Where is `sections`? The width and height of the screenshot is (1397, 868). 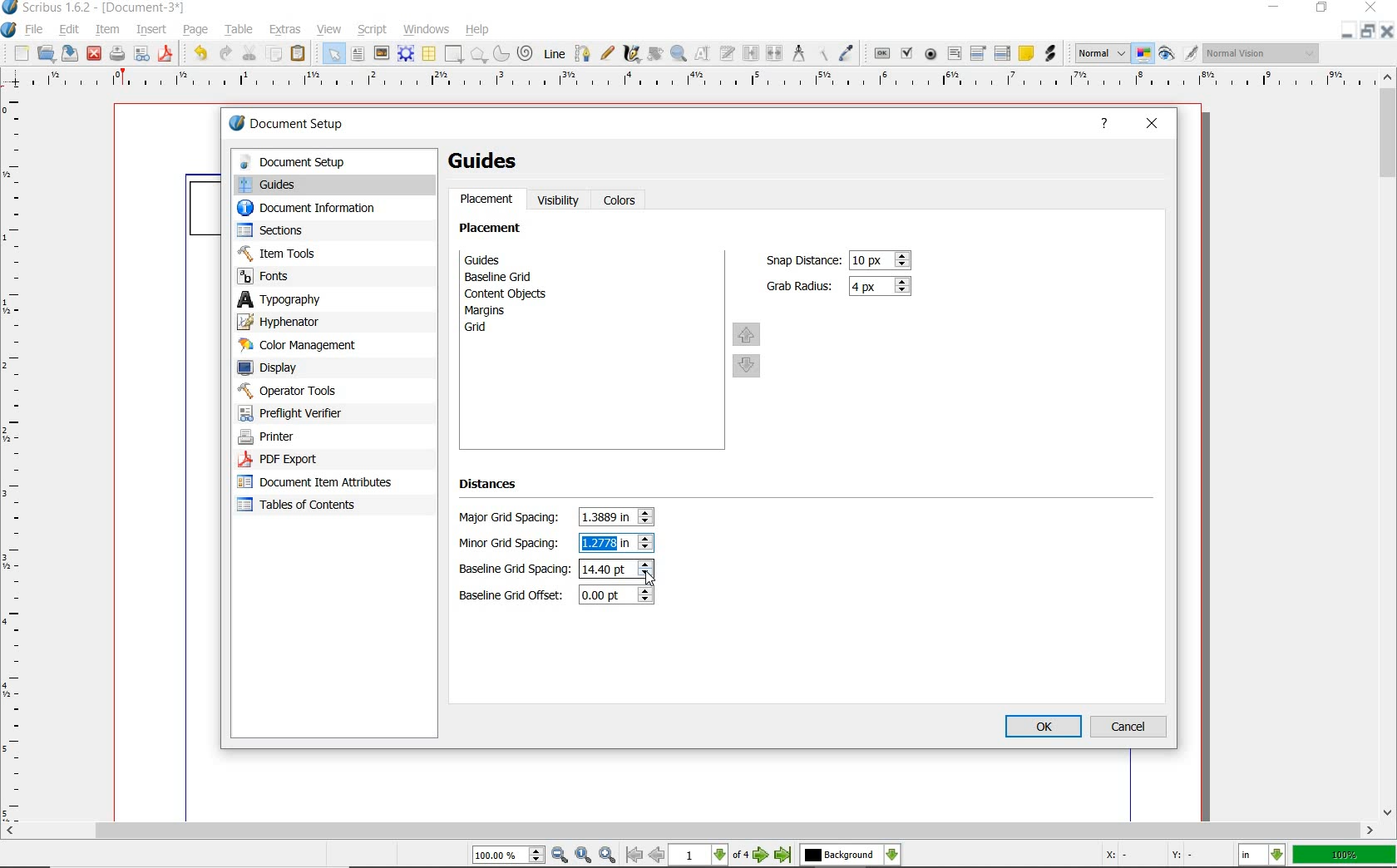 sections is located at coordinates (322, 232).